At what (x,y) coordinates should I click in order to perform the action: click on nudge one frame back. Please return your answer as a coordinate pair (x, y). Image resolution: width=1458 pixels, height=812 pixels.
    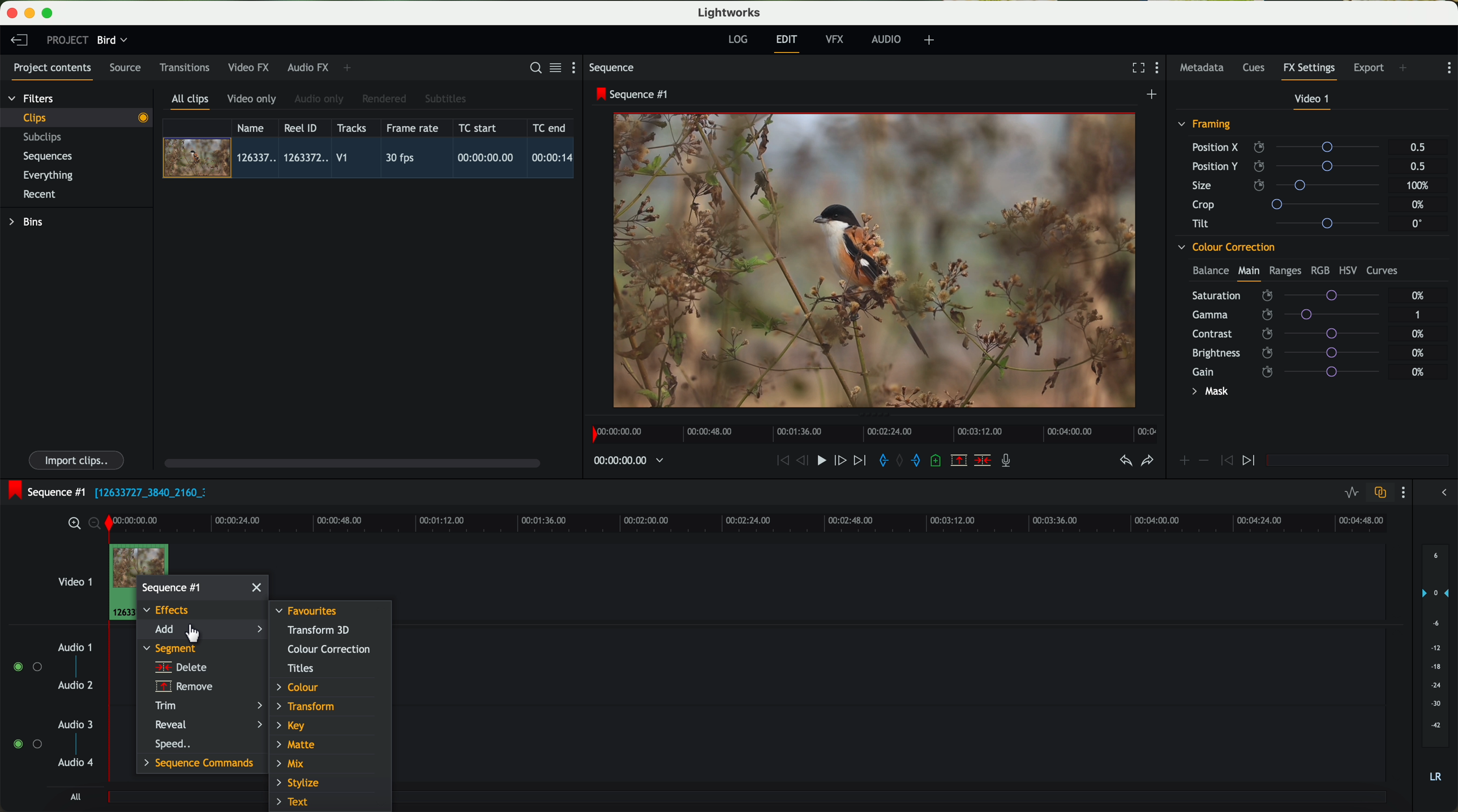
    Looking at the image, I should click on (804, 462).